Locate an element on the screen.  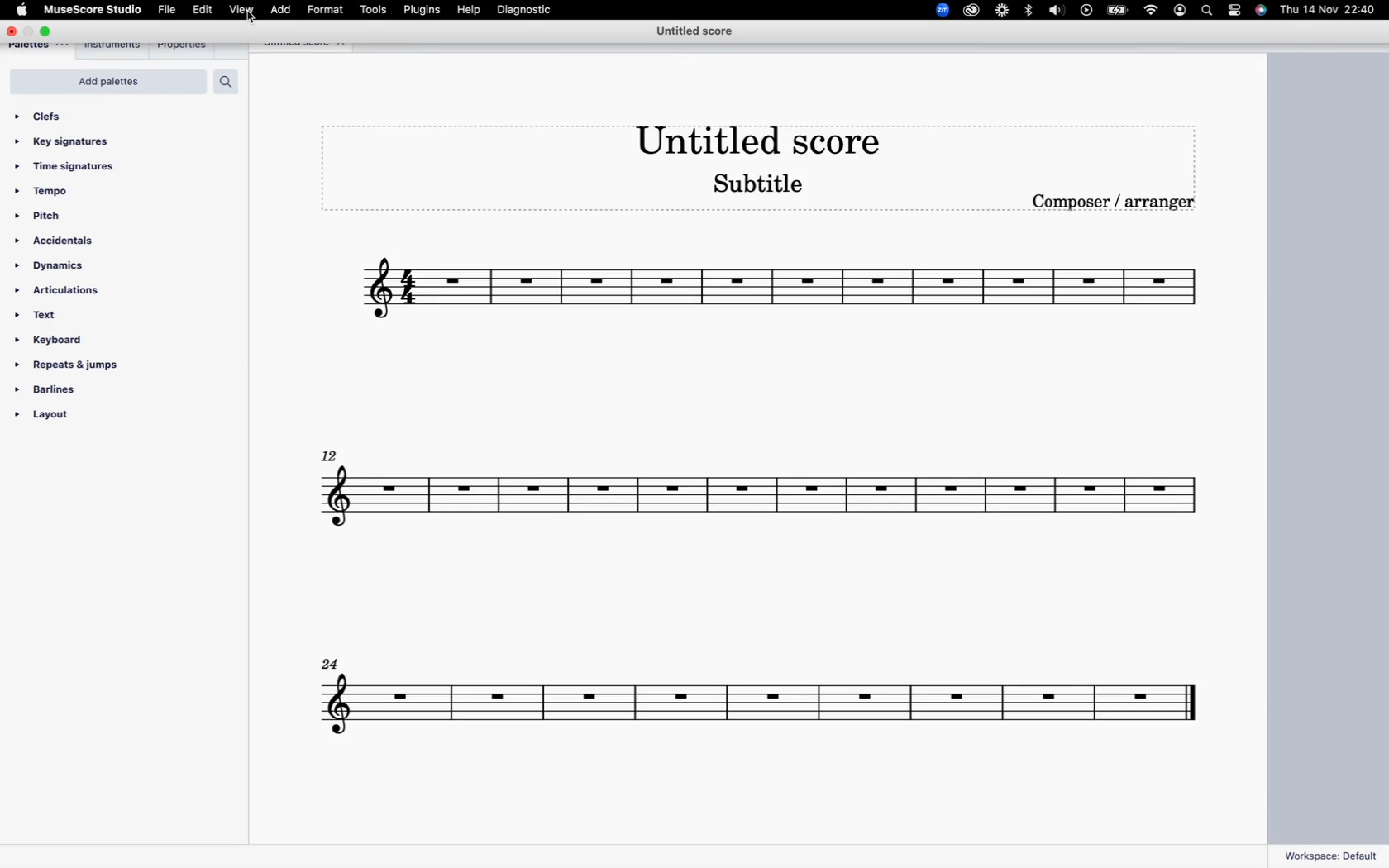
siri is located at coordinates (1263, 11).